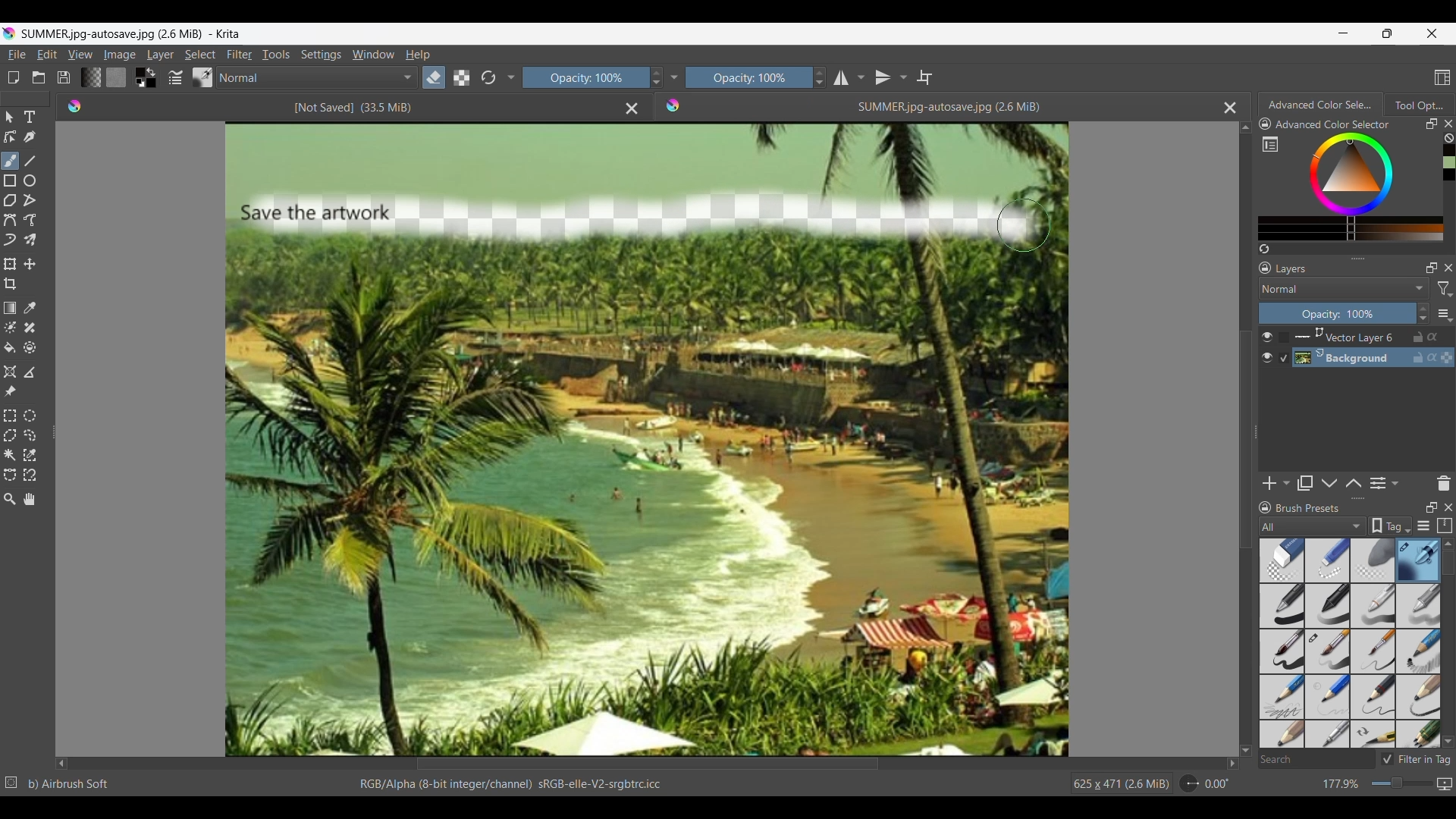 The height and width of the screenshot is (819, 1456). What do you see at coordinates (10, 456) in the screenshot?
I see `Contiguous selection tool` at bounding box center [10, 456].